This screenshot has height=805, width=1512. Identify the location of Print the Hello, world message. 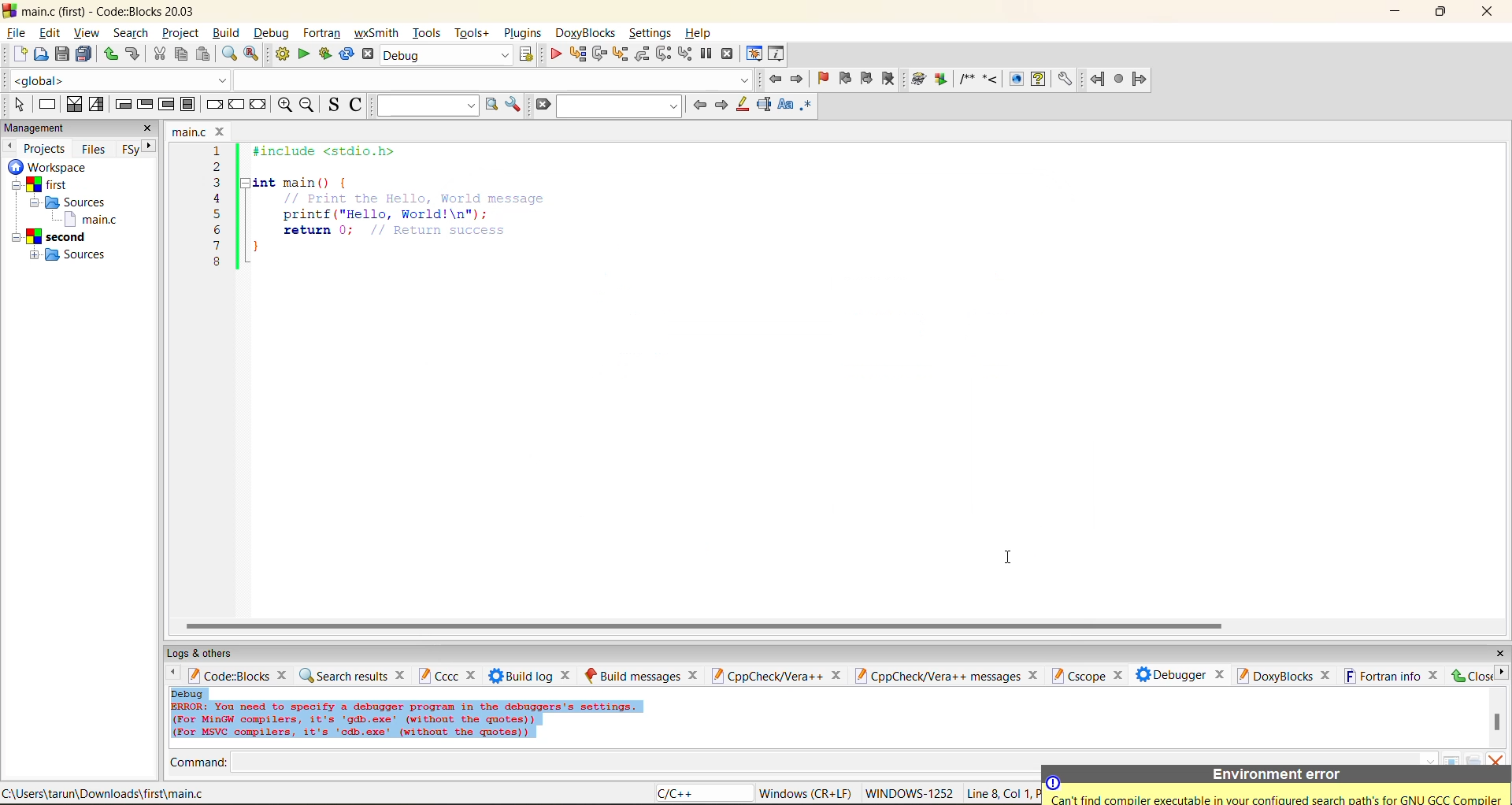
(416, 198).